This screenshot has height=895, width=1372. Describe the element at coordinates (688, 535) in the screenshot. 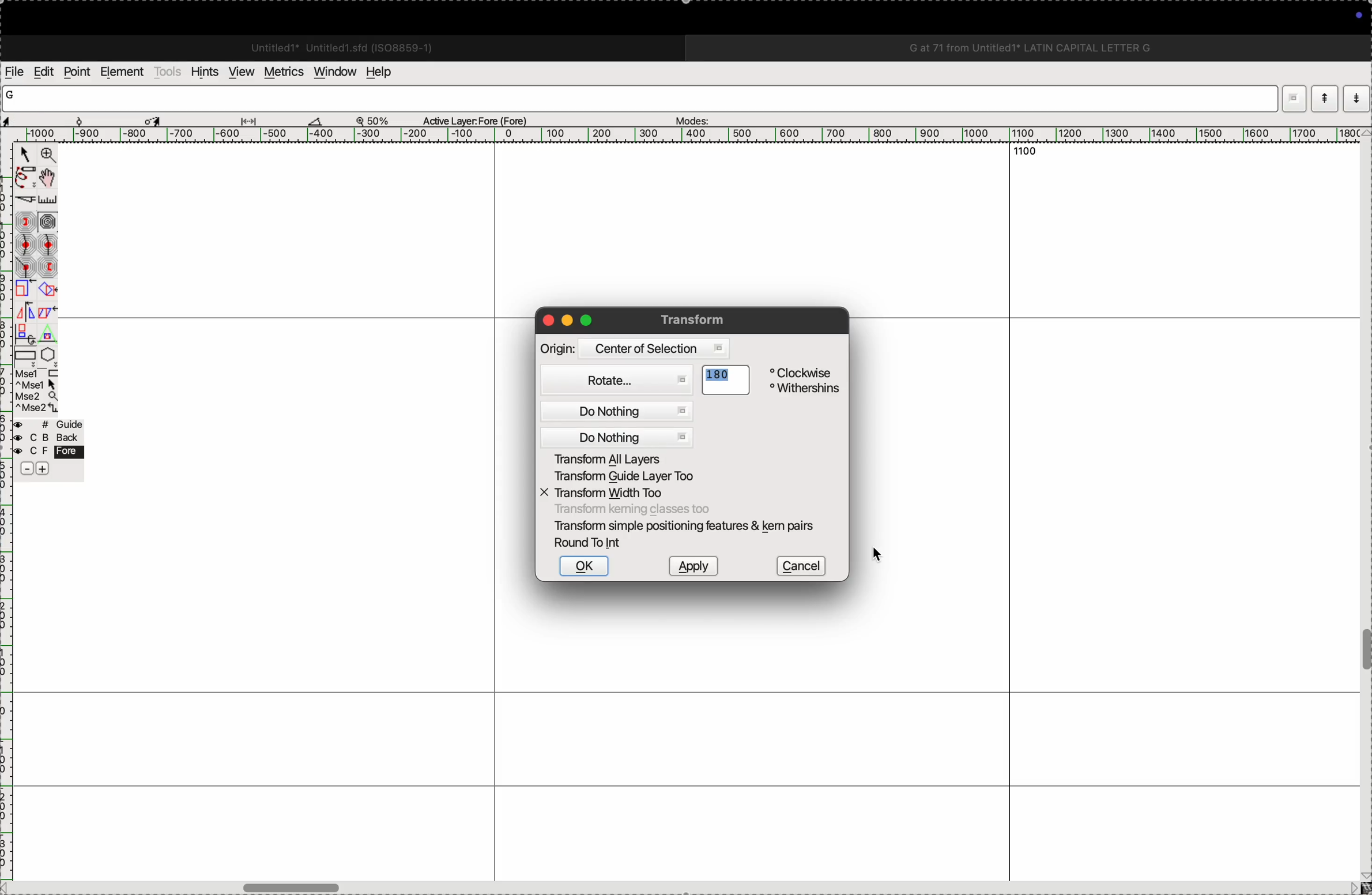

I see `Transform simple positioning features & kem pairs
Round To Int` at that location.